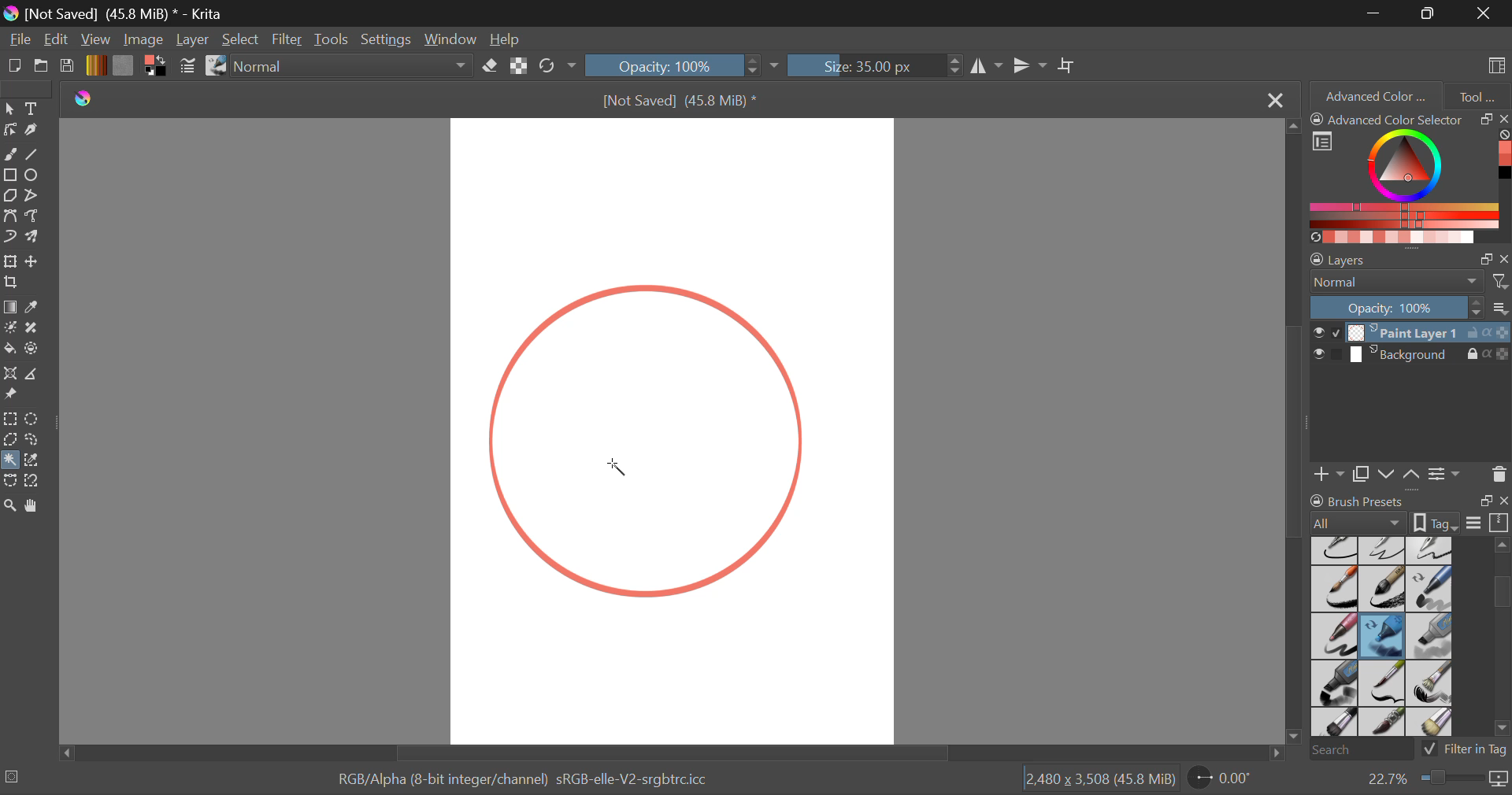  I want to click on Birstles-5 Plain, so click(1433, 723).